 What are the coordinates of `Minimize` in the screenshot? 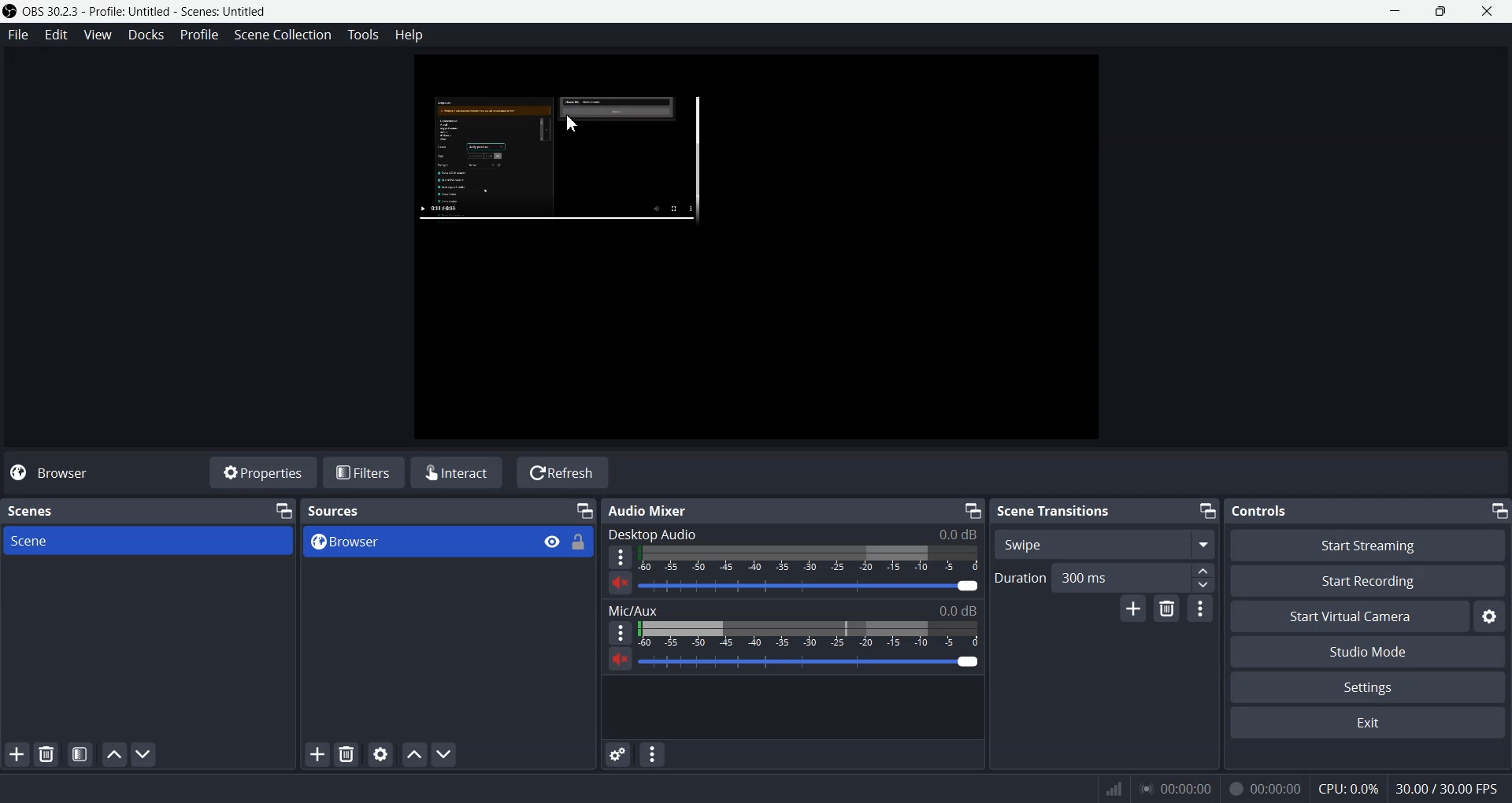 It's located at (584, 511).